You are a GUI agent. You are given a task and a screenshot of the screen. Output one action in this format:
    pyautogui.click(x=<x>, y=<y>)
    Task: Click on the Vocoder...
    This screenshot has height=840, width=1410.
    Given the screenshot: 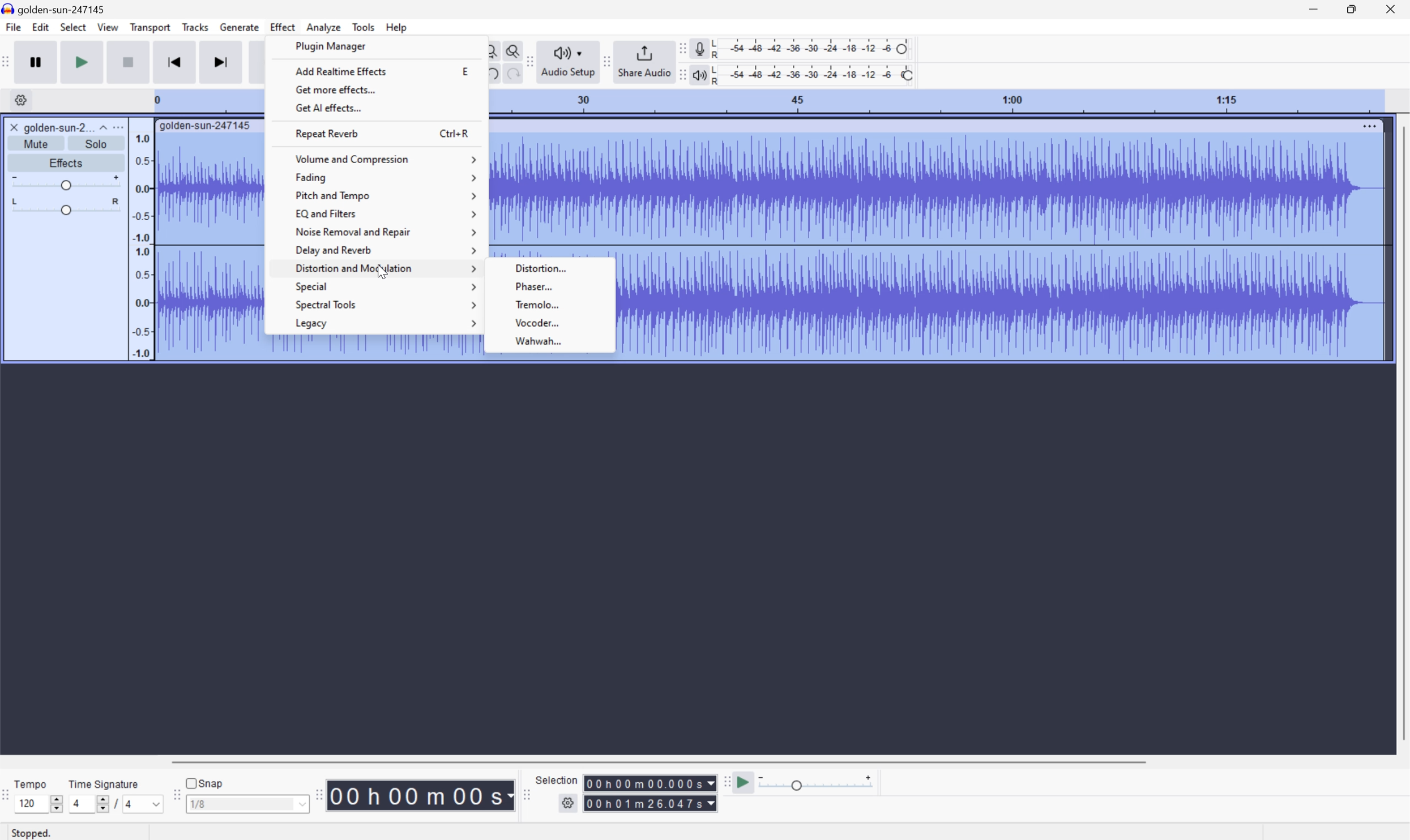 What is the action you would take?
    pyautogui.click(x=550, y=323)
    